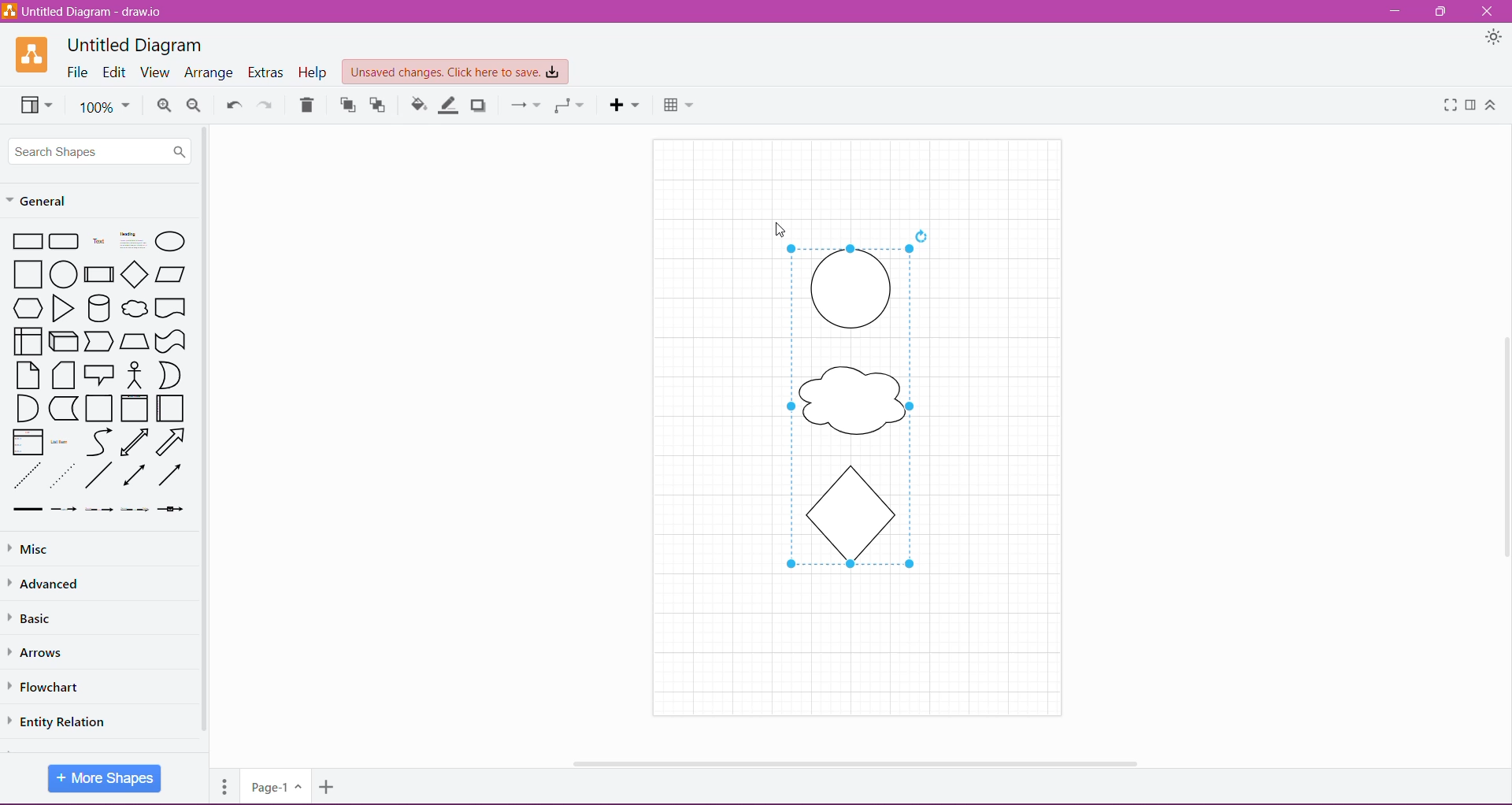 The image size is (1512, 805). I want to click on Fullscreen, so click(1447, 106).